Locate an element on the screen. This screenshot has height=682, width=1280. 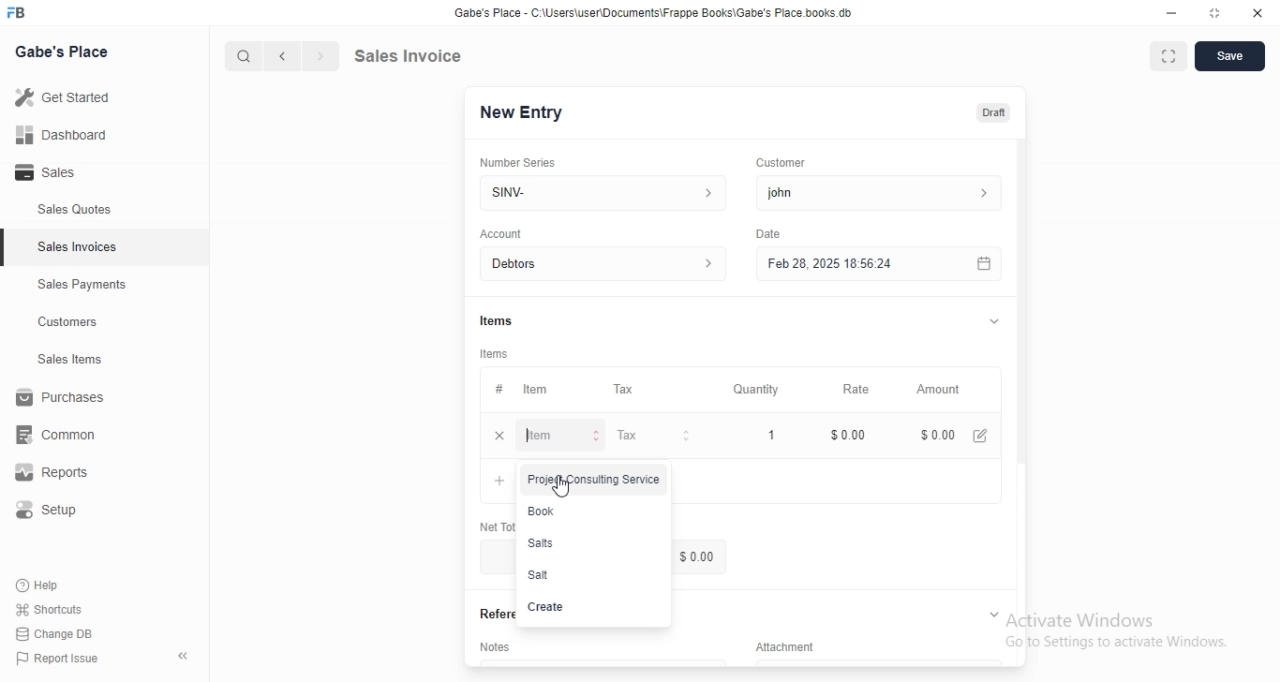
Date is located at coordinates (768, 232).